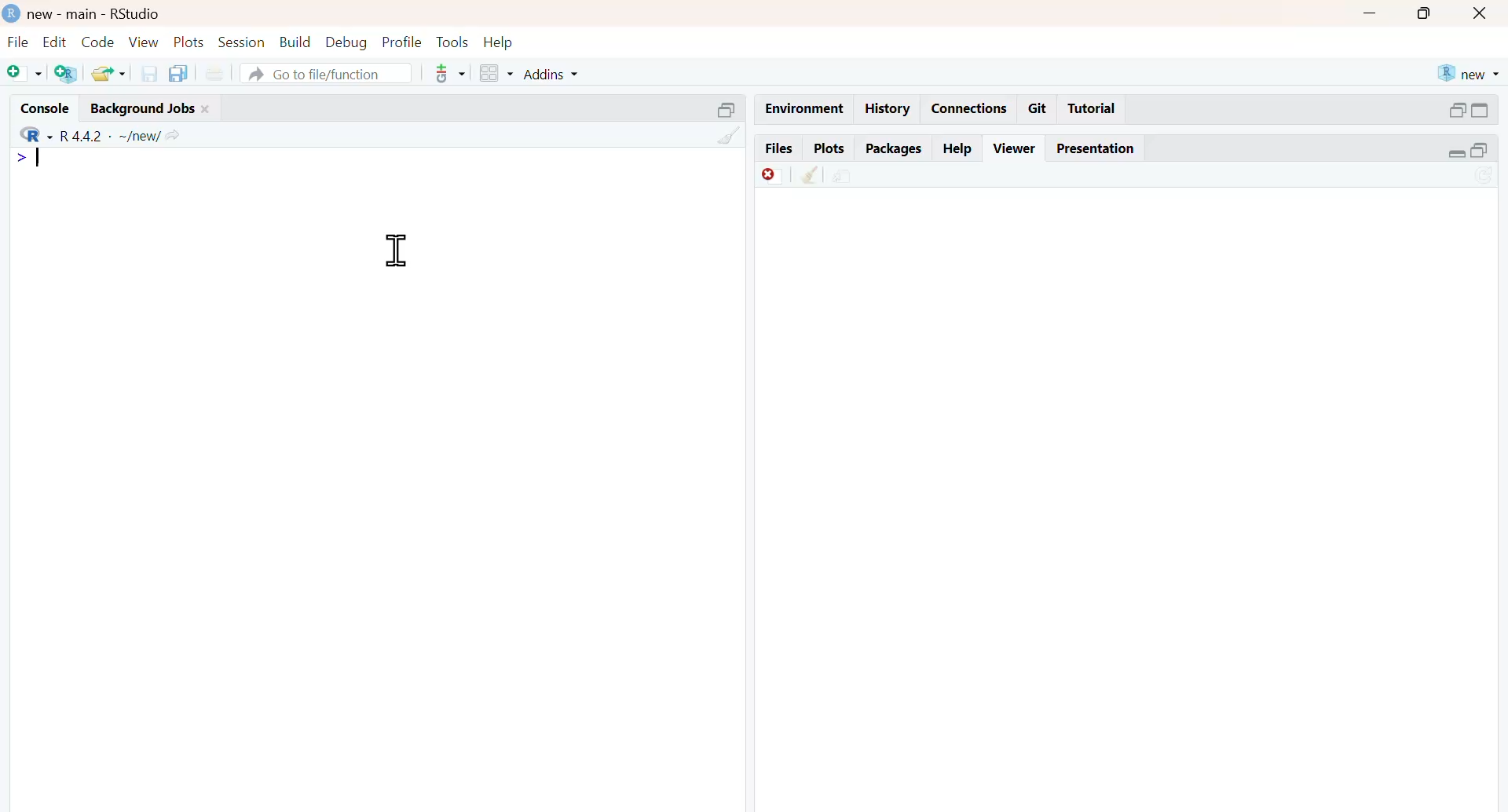 Image resolution: width=1508 pixels, height=812 pixels. What do you see at coordinates (1484, 177) in the screenshot?
I see `Sync` at bounding box center [1484, 177].